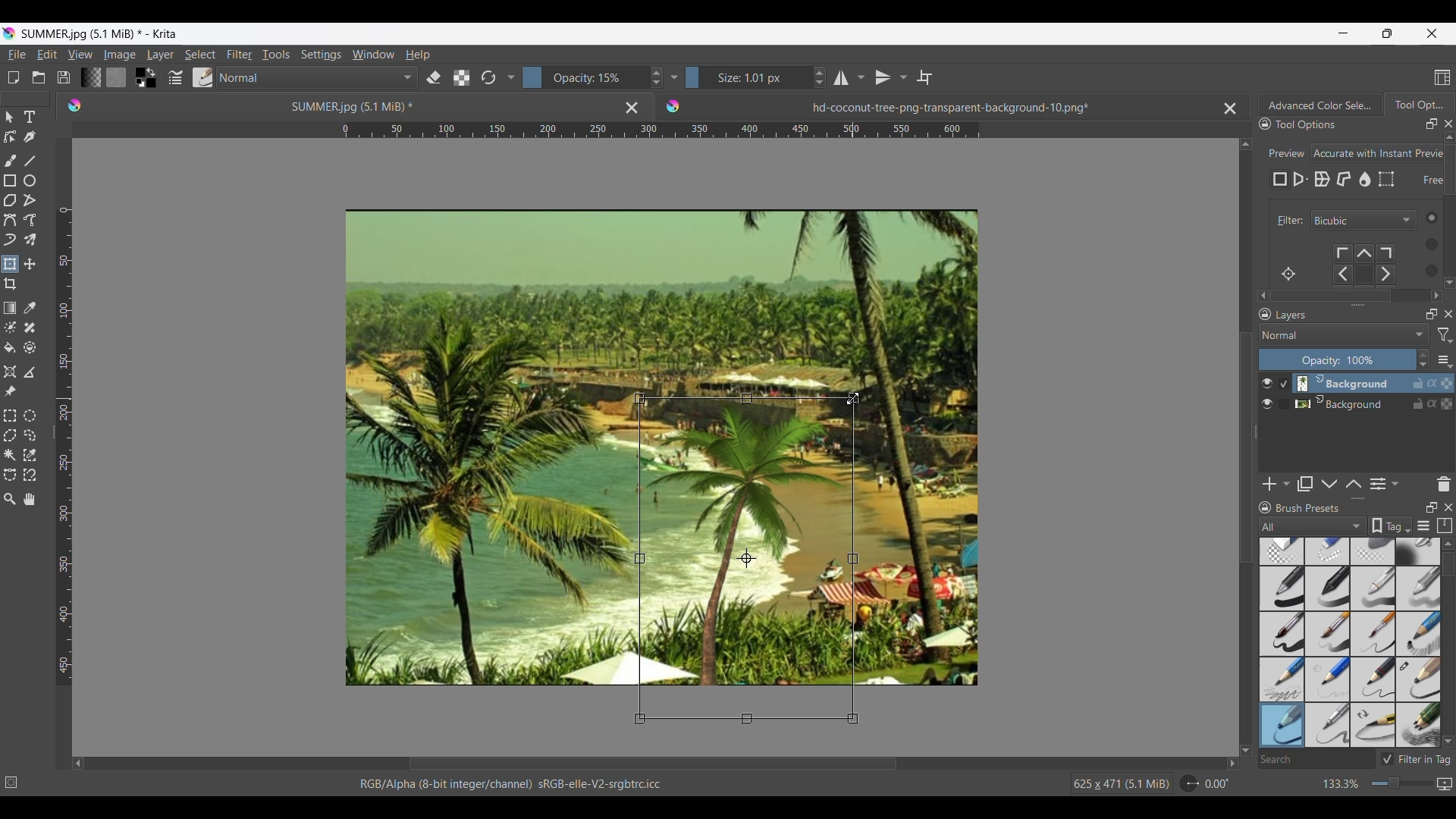 The width and height of the screenshot is (1456, 819). What do you see at coordinates (30, 416) in the screenshot?
I see `Elliptical selection tool` at bounding box center [30, 416].